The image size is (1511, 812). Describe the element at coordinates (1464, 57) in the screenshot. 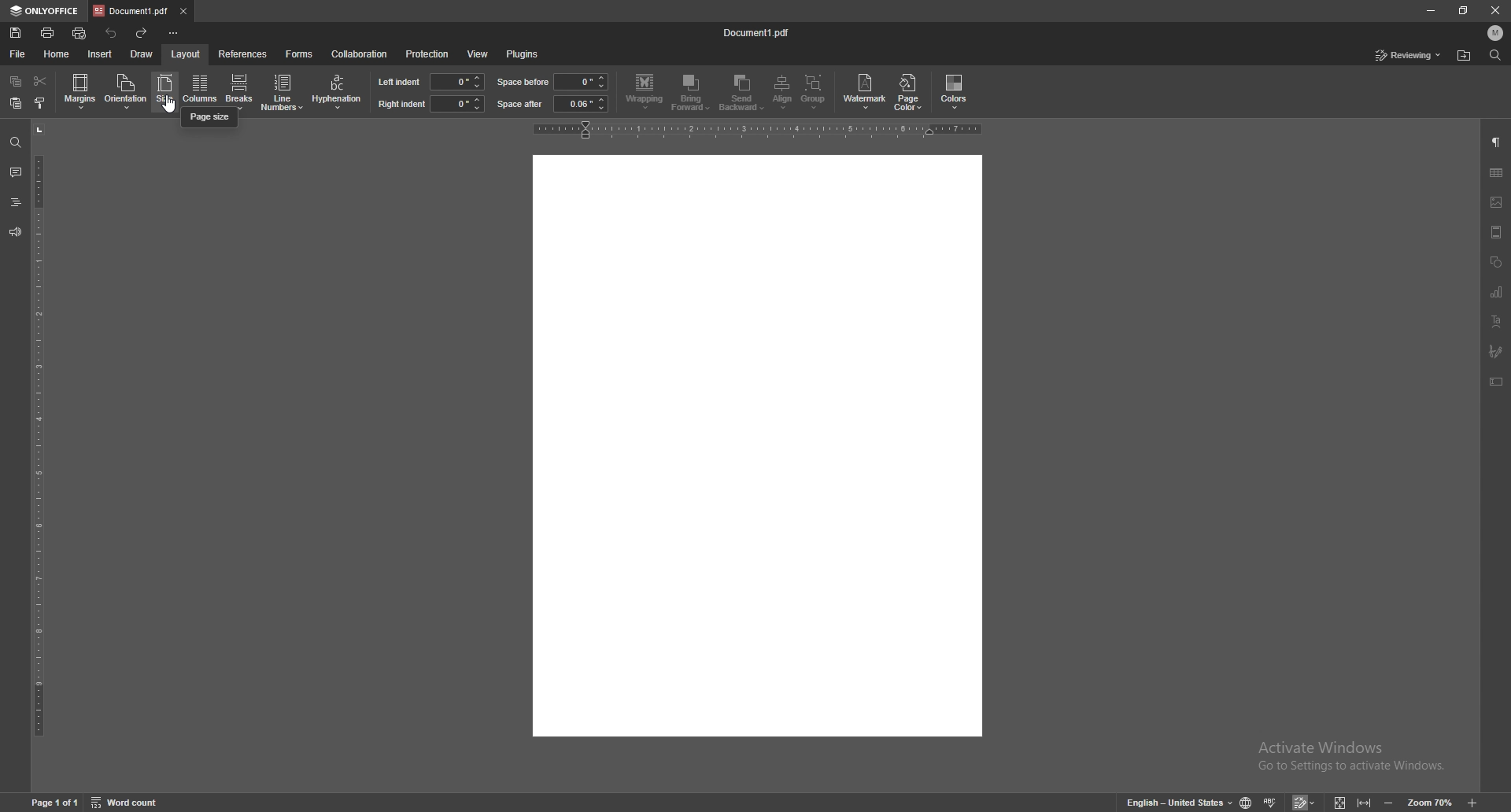

I see `locate file` at that location.